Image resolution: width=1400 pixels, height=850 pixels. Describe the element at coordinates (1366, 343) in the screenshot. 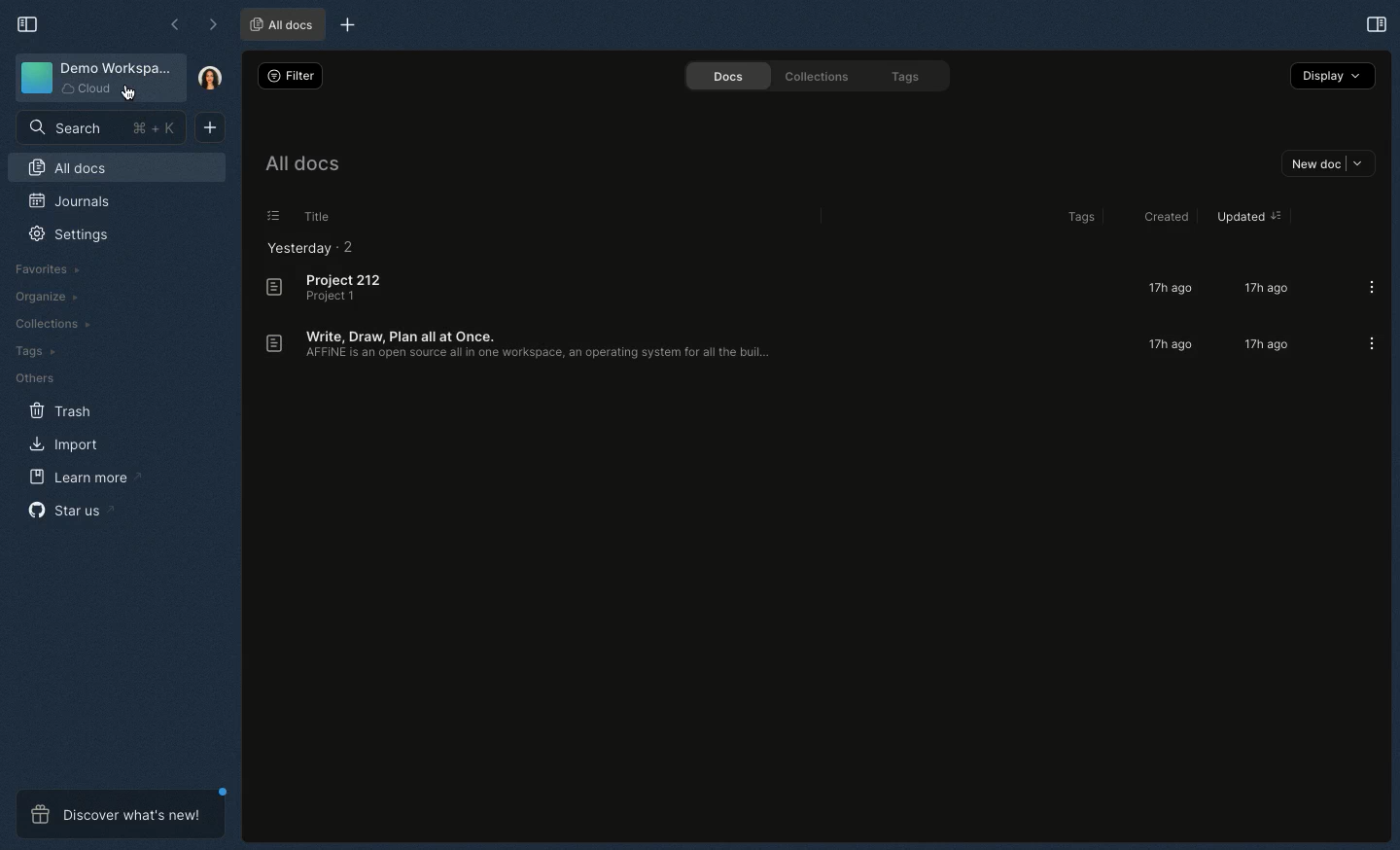

I see `Options` at that location.